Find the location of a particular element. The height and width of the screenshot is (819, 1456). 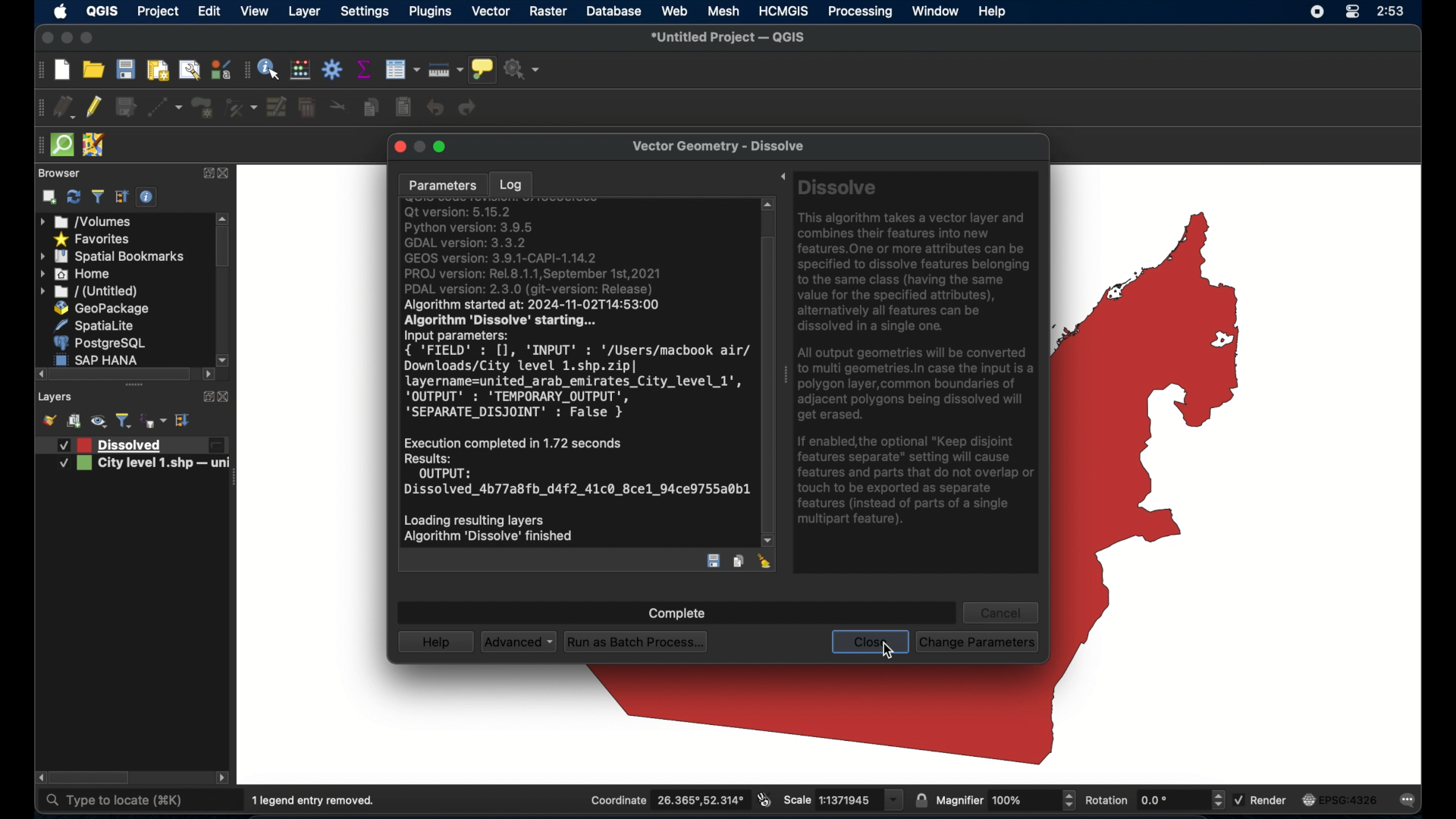

print layout is located at coordinates (156, 71).